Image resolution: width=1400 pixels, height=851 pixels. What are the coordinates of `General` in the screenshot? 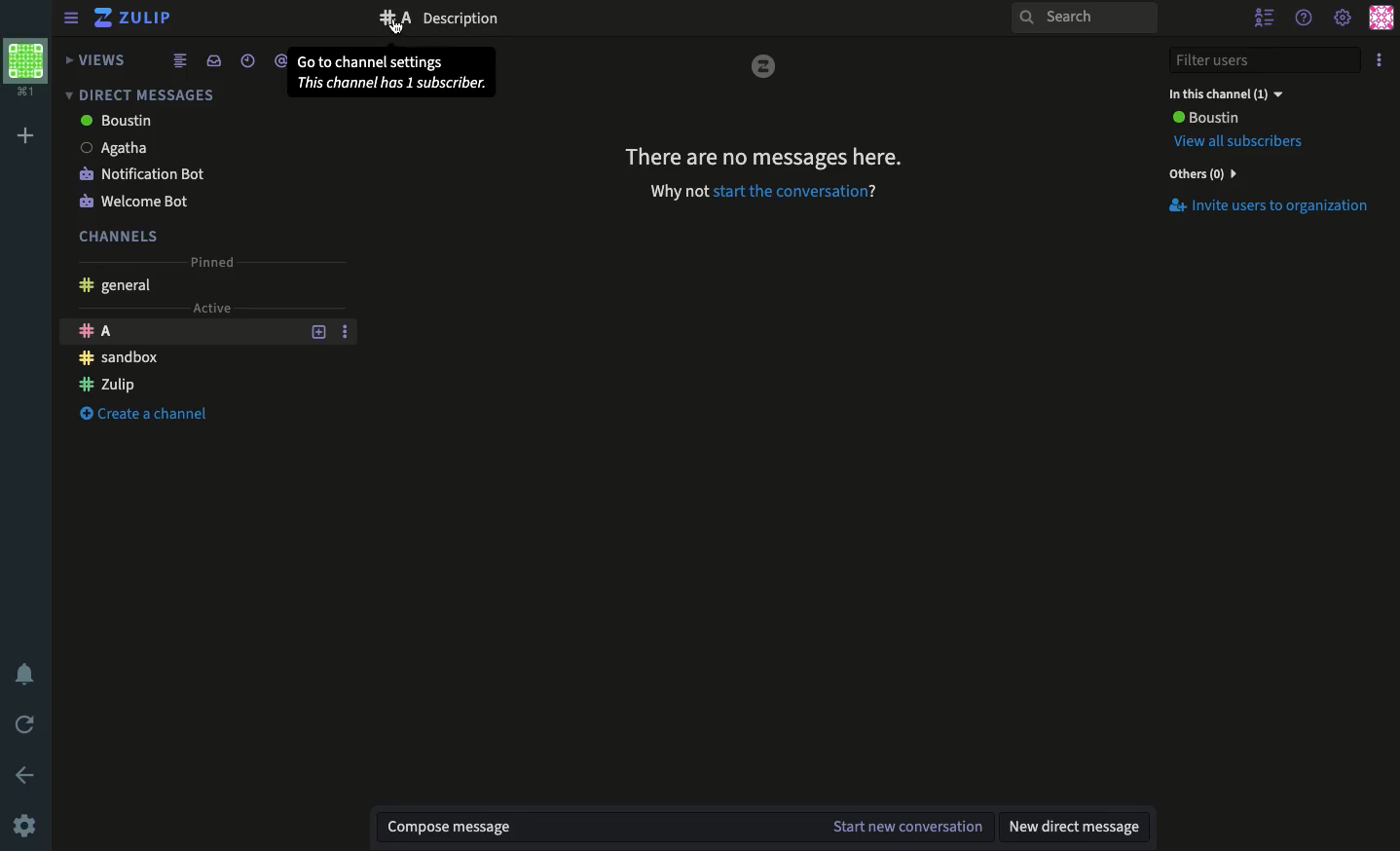 It's located at (123, 285).